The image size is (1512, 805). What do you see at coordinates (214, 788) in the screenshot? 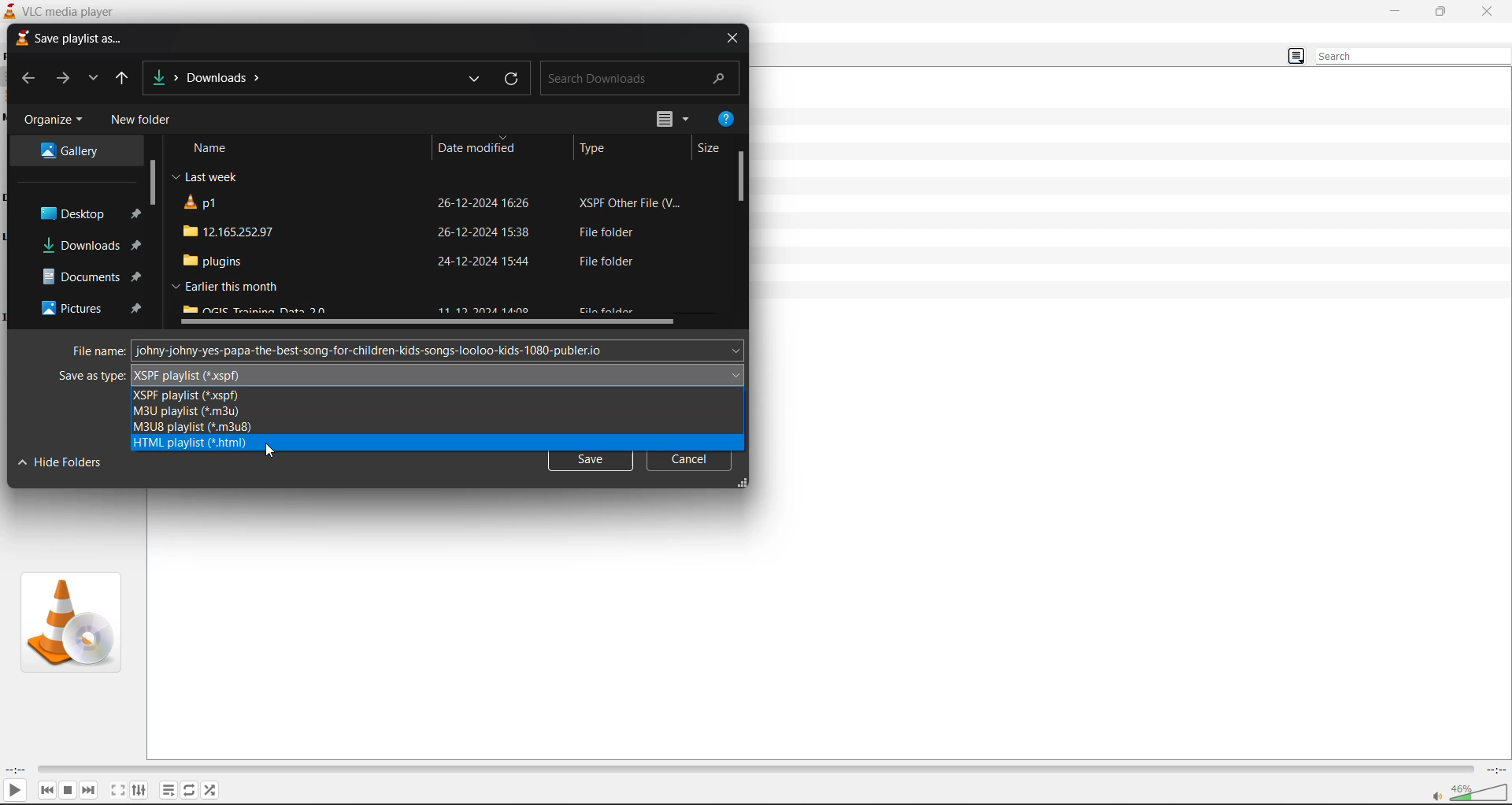
I see `random` at bounding box center [214, 788].